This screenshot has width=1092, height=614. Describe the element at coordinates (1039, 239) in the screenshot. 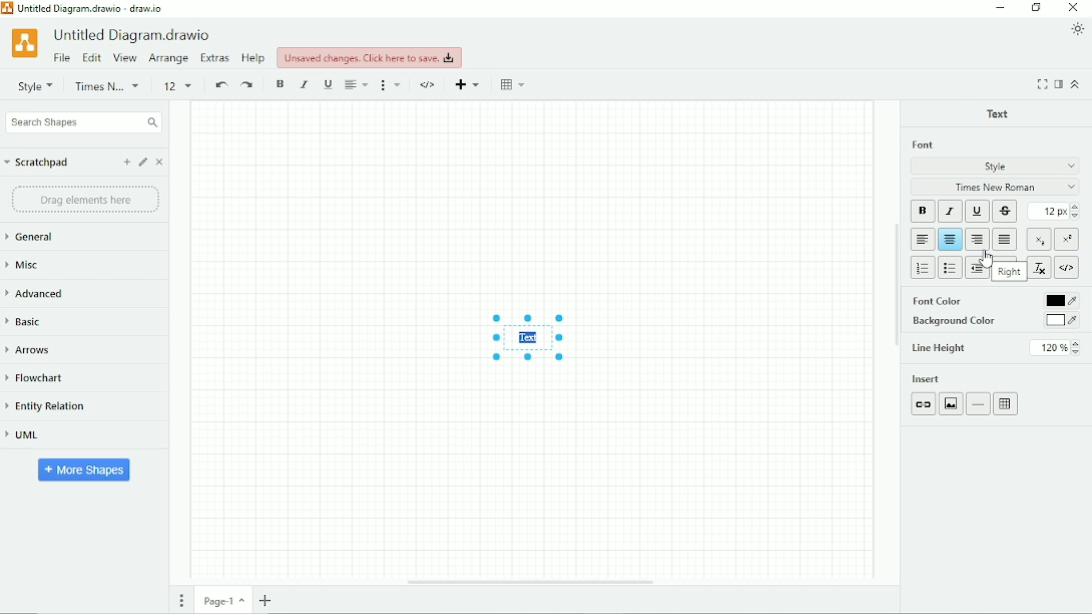

I see `Subscript` at that location.